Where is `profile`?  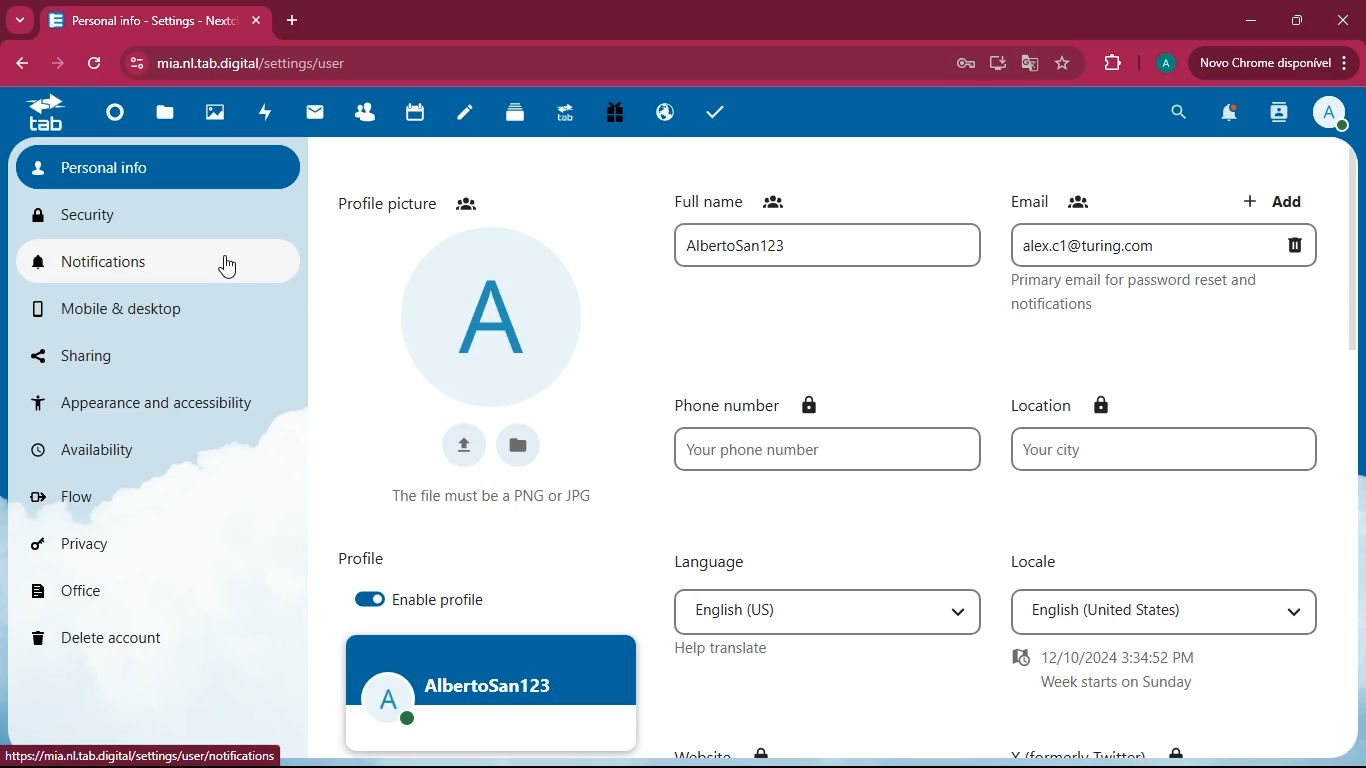
profile is located at coordinates (1331, 114).